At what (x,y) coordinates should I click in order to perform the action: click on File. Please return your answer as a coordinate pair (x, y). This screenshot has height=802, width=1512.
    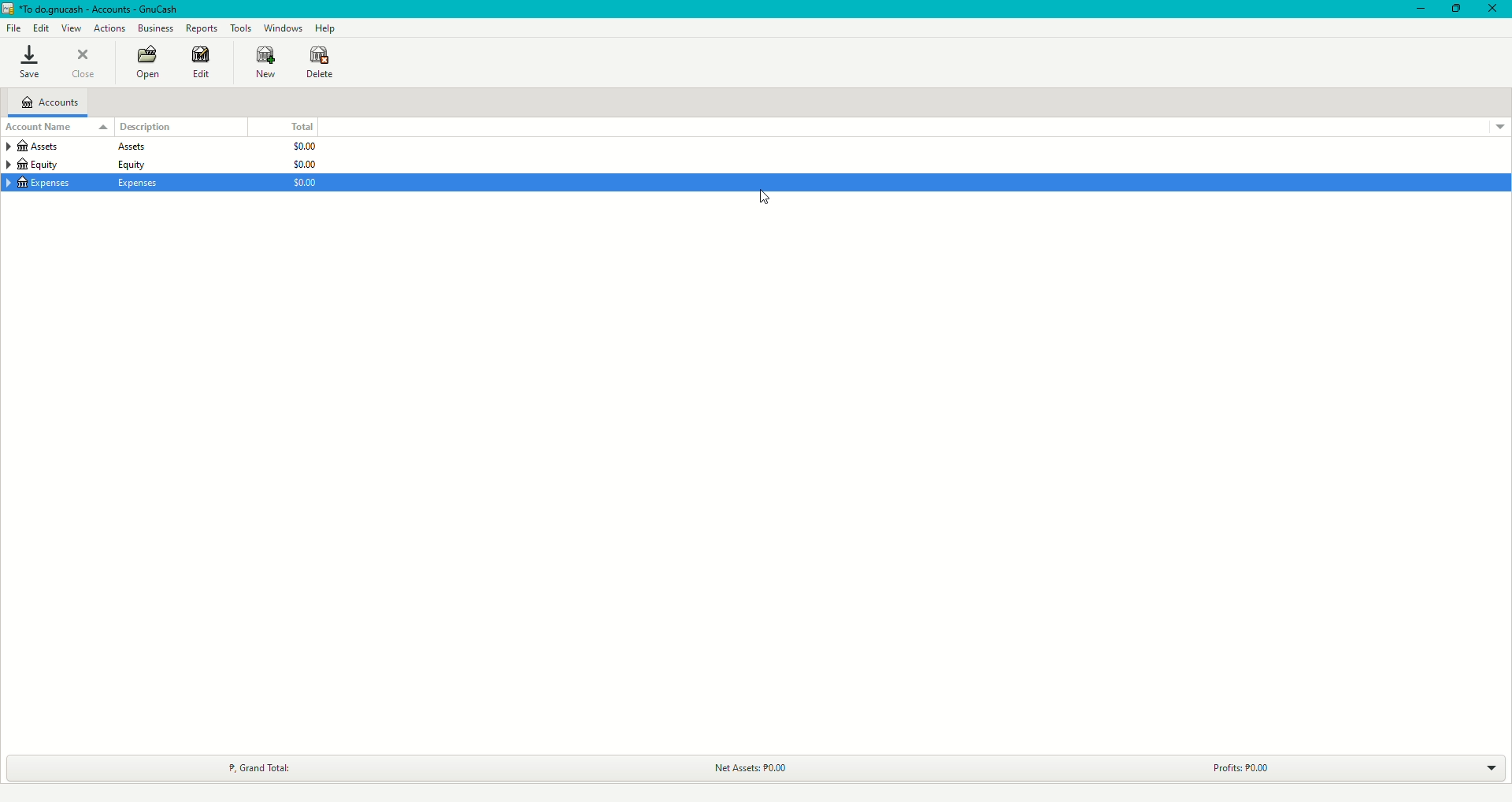
    Looking at the image, I should click on (13, 27).